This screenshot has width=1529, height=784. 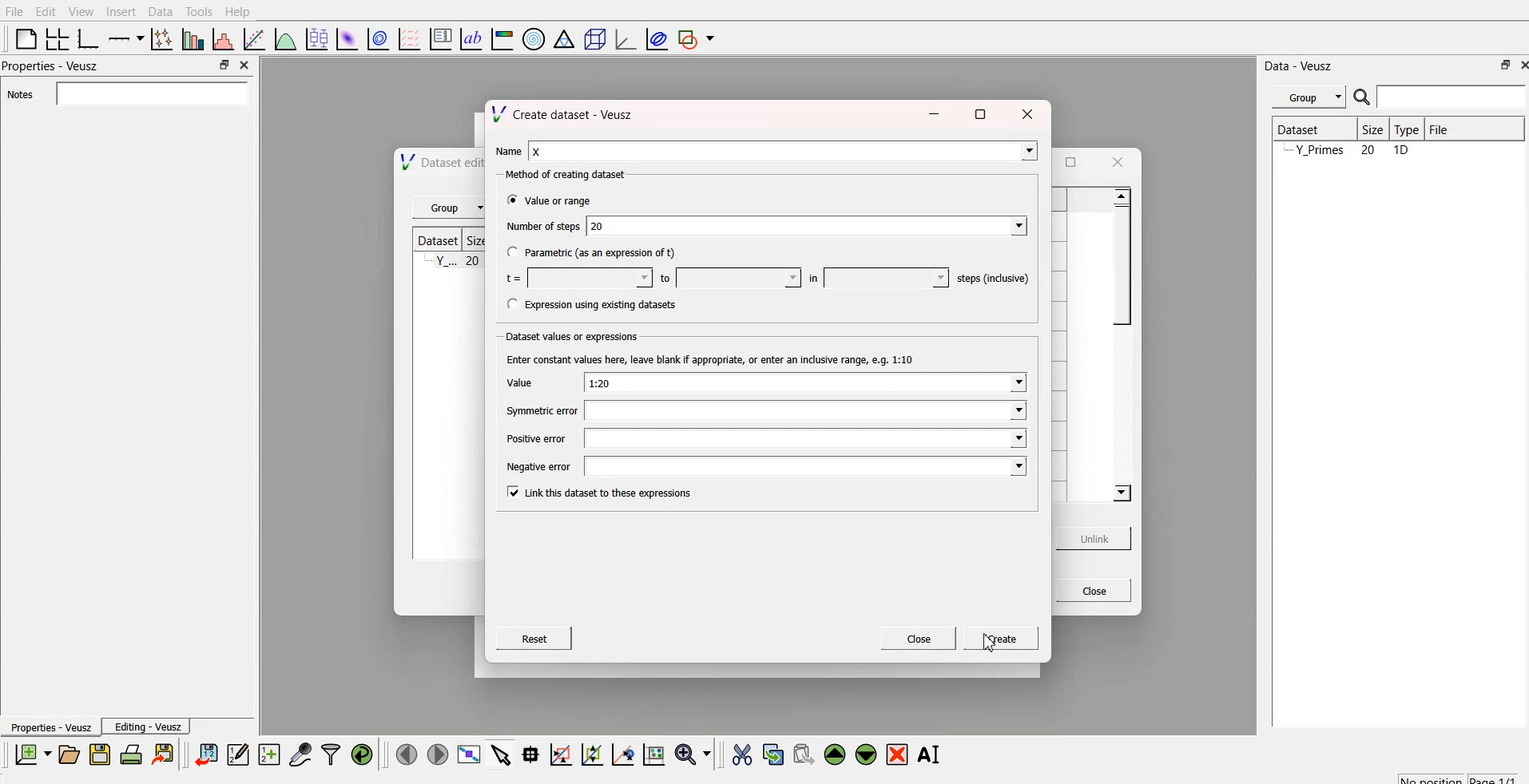 I want to click on Enter constant values here, leave blank if appropriate, or enter an inclusive range, e.g. 1:10, so click(x=717, y=359).